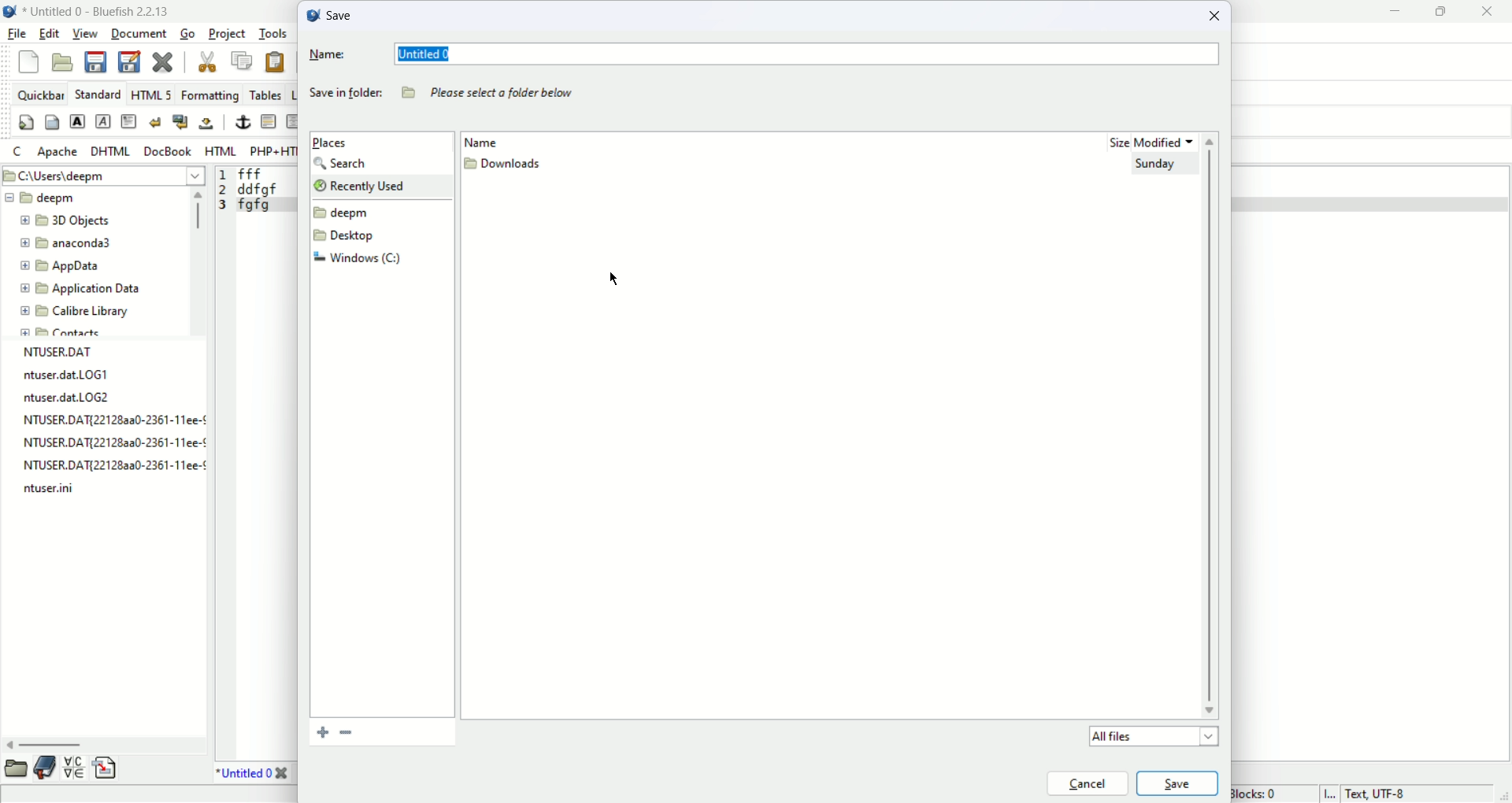  What do you see at coordinates (109, 444) in the screenshot?
I see `file name` at bounding box center [109, 444].